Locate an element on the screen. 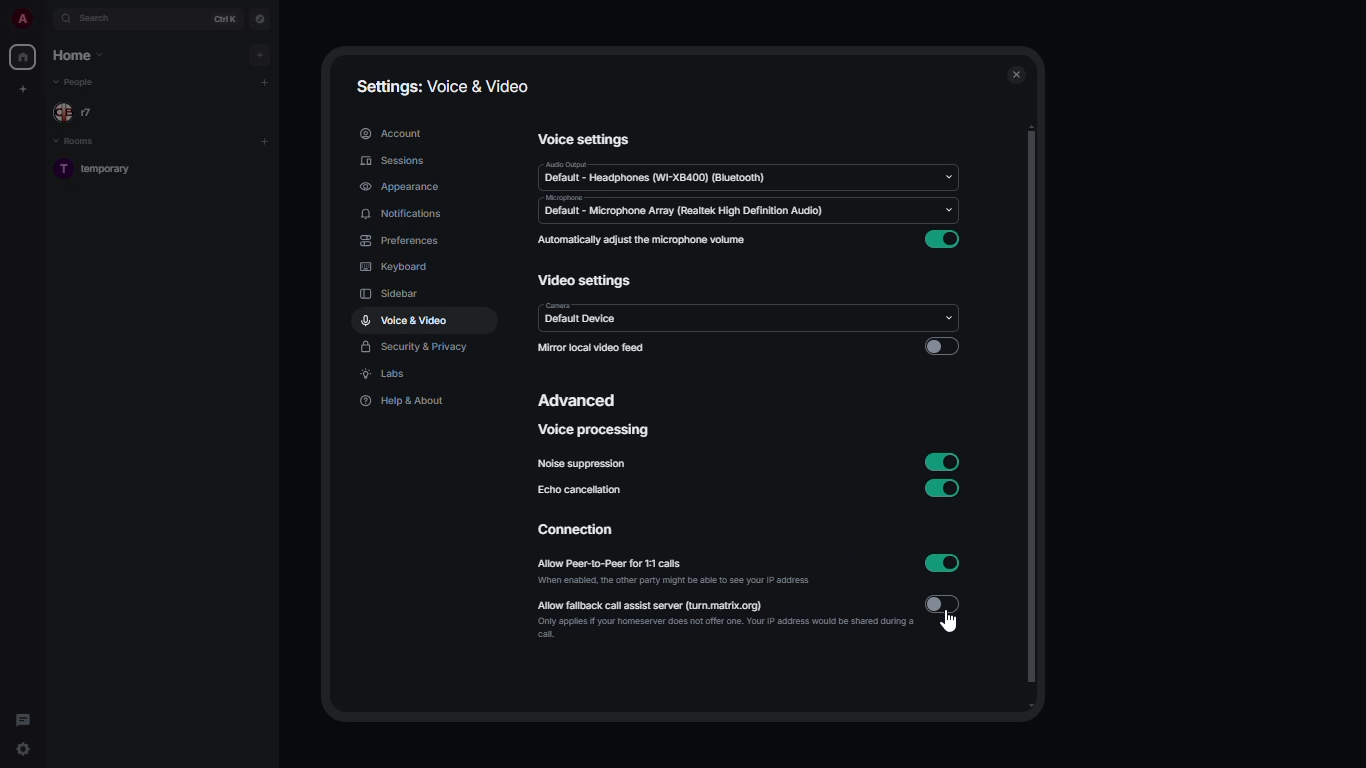  enabled is located at coordinates (942, 241).